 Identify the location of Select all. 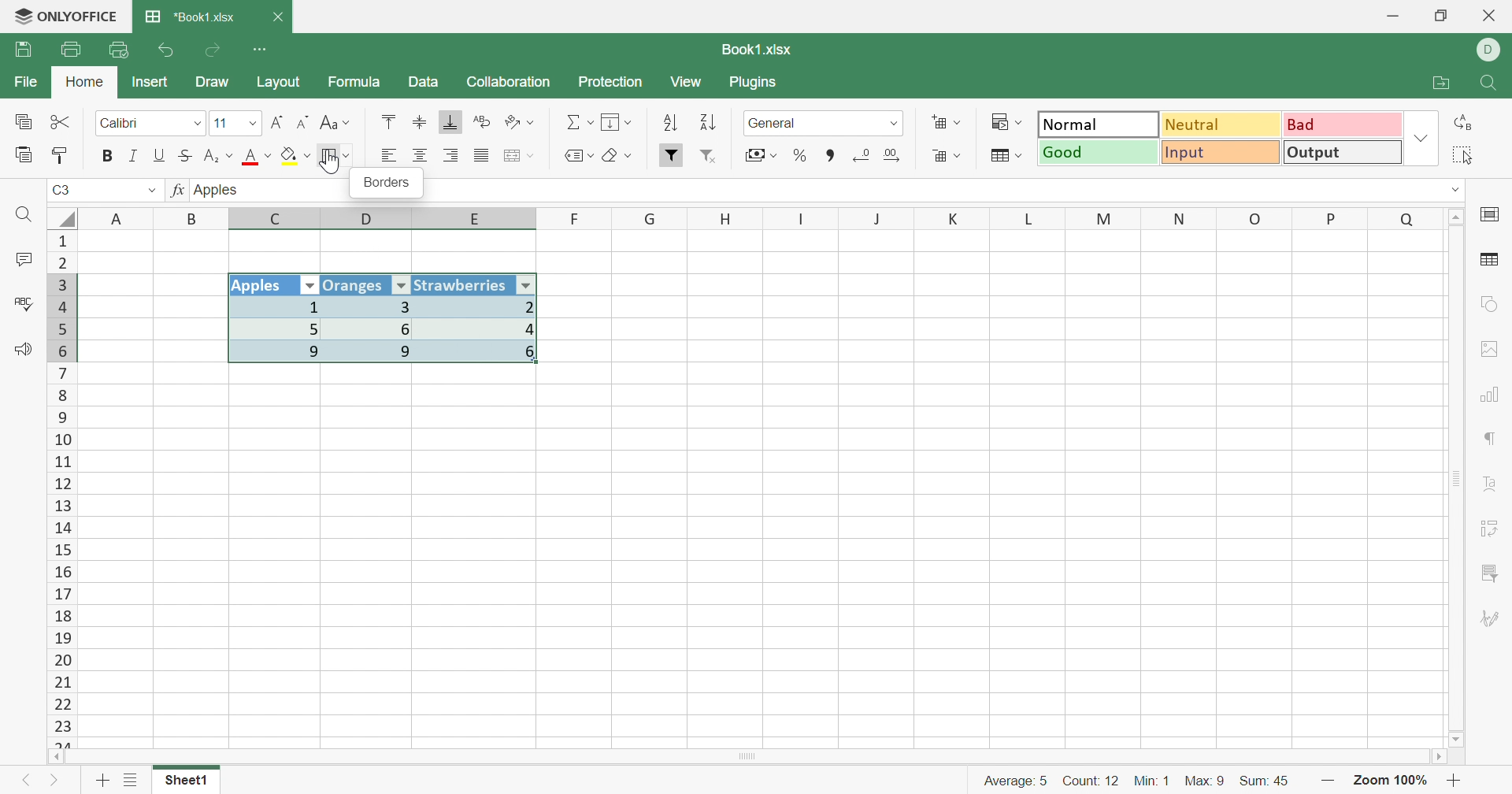
(1469, 155).